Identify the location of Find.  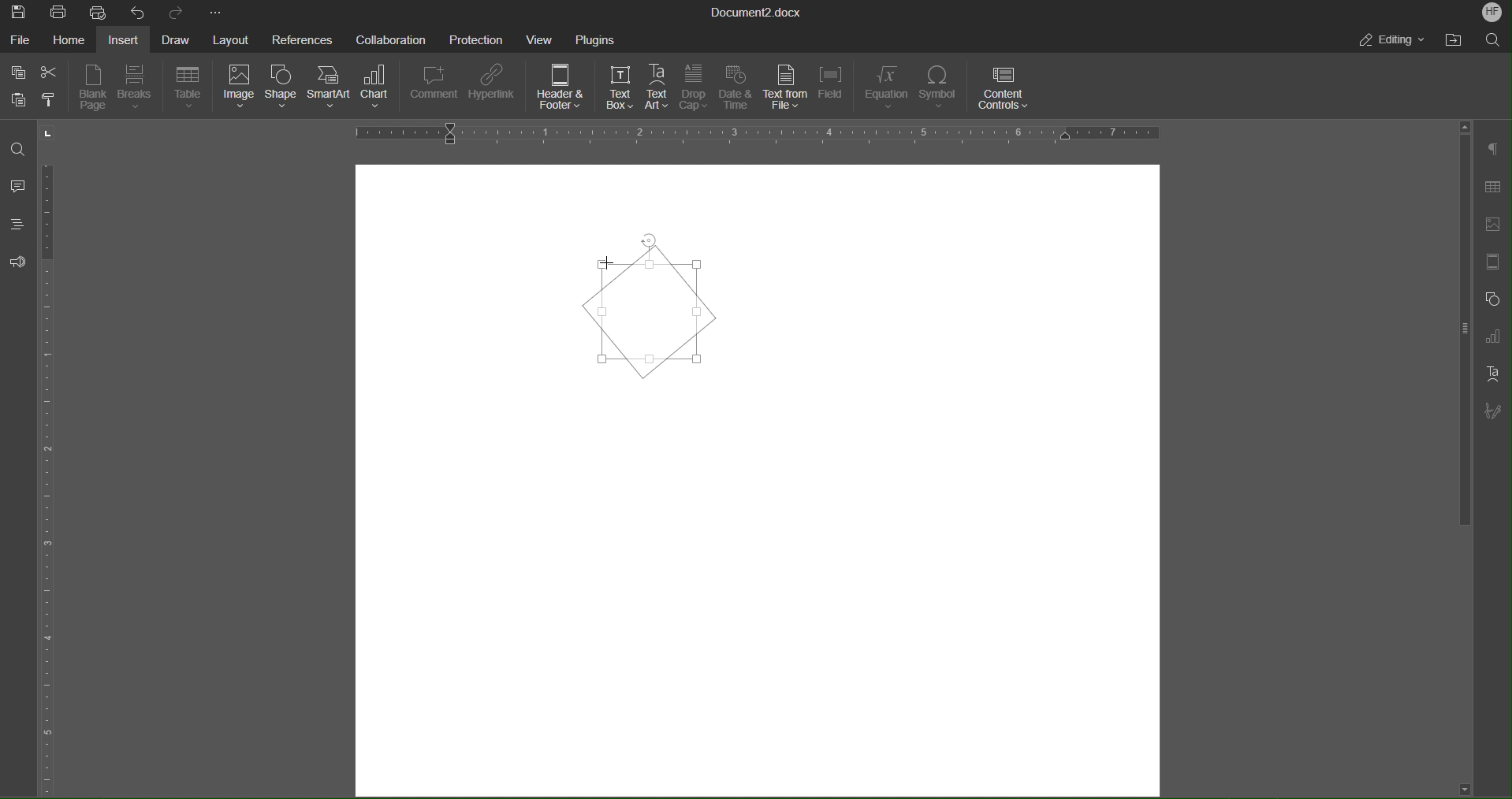
(20, 150).